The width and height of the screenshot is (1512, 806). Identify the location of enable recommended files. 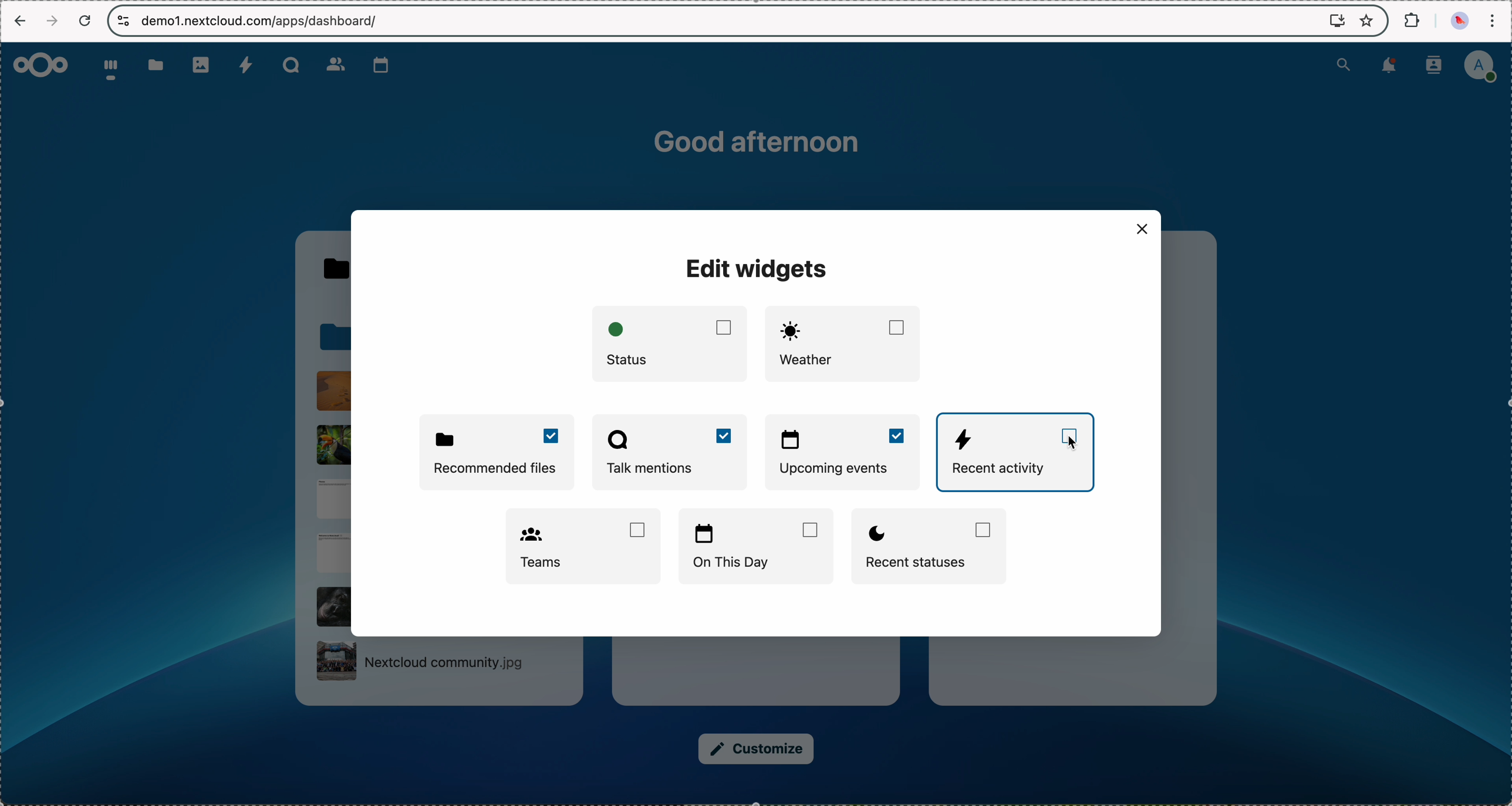
(500, 452).